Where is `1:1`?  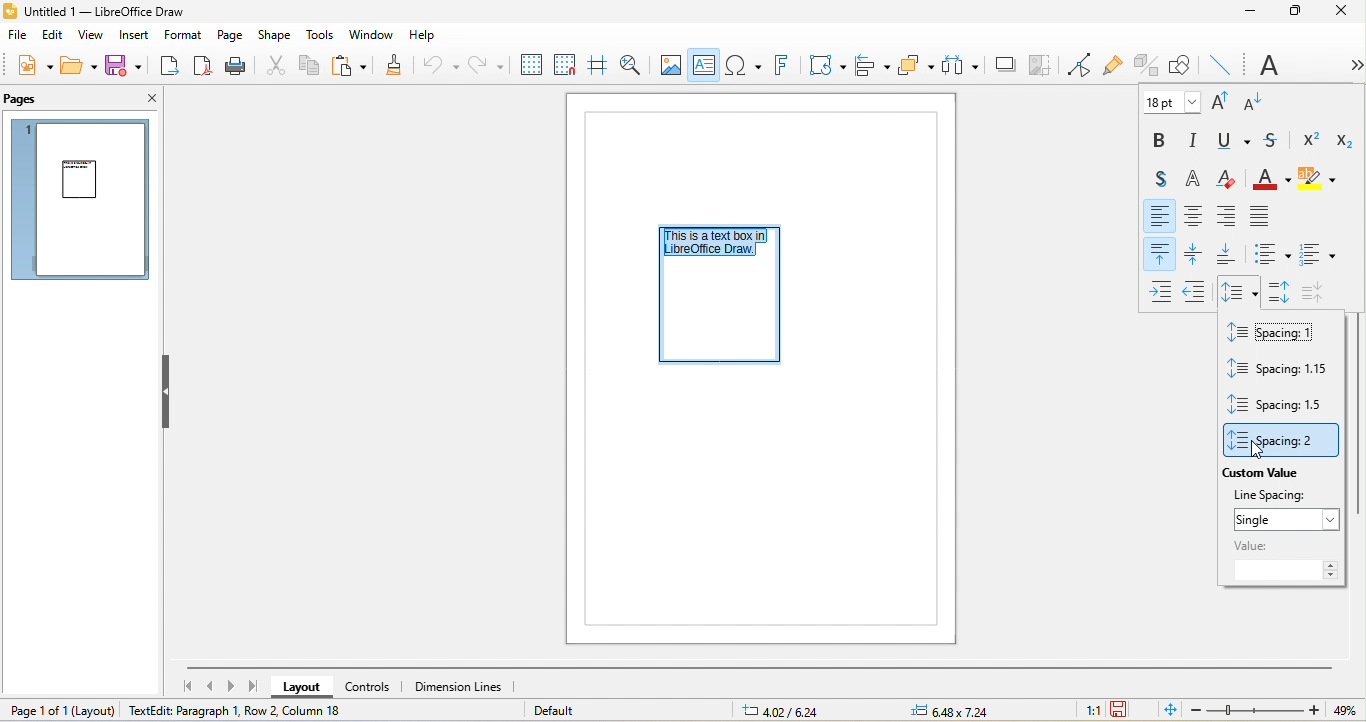
1:1 is located at coordinates (1092, 710).